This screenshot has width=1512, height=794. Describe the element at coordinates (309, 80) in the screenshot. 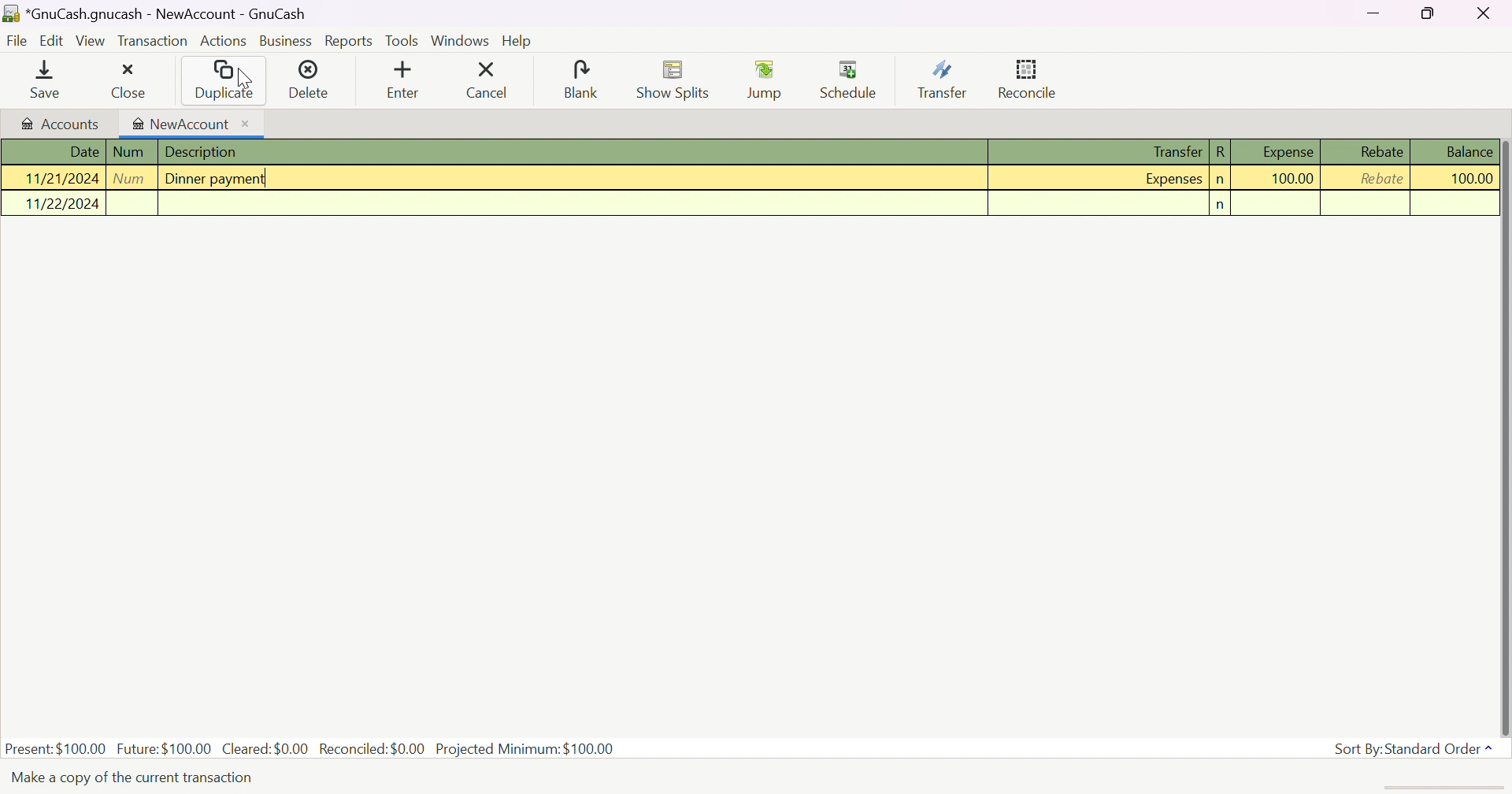

I see `Delete` at that location.